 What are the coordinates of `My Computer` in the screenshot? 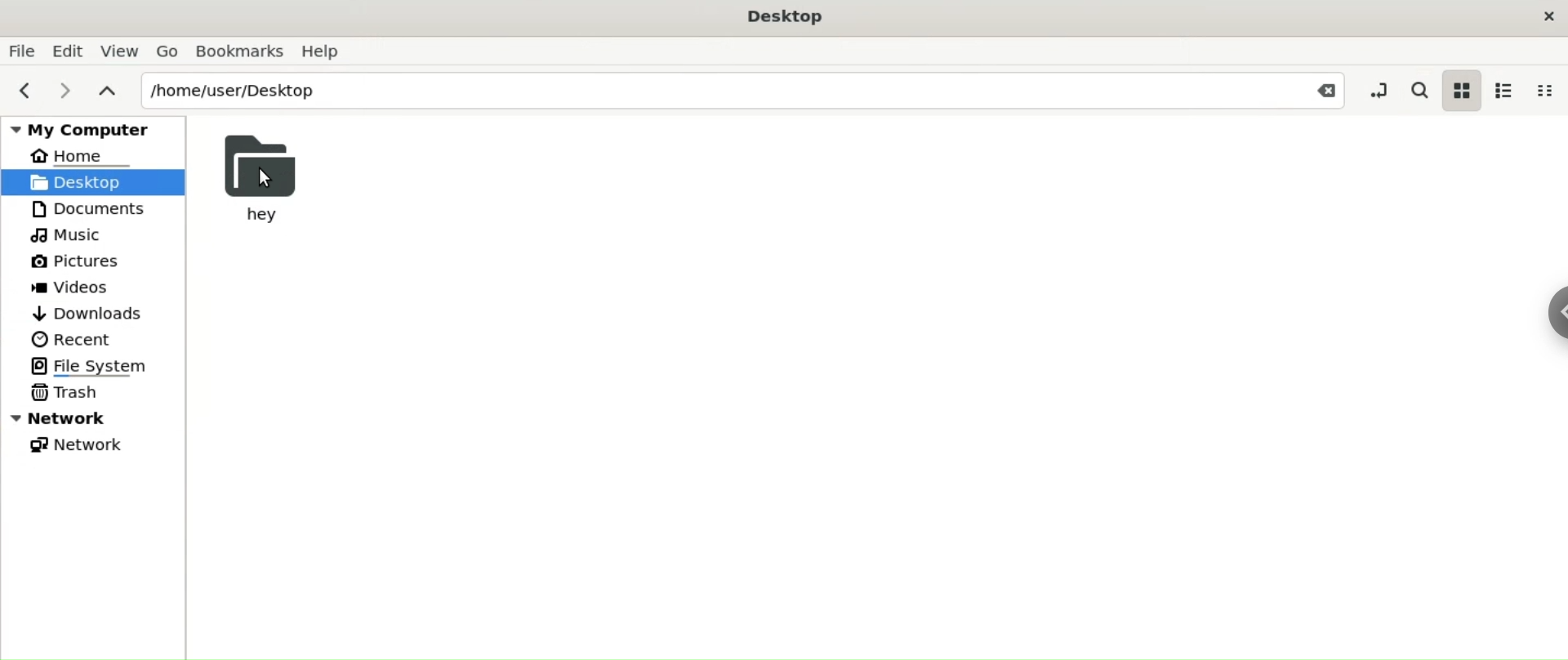 It's located at (91, 127).